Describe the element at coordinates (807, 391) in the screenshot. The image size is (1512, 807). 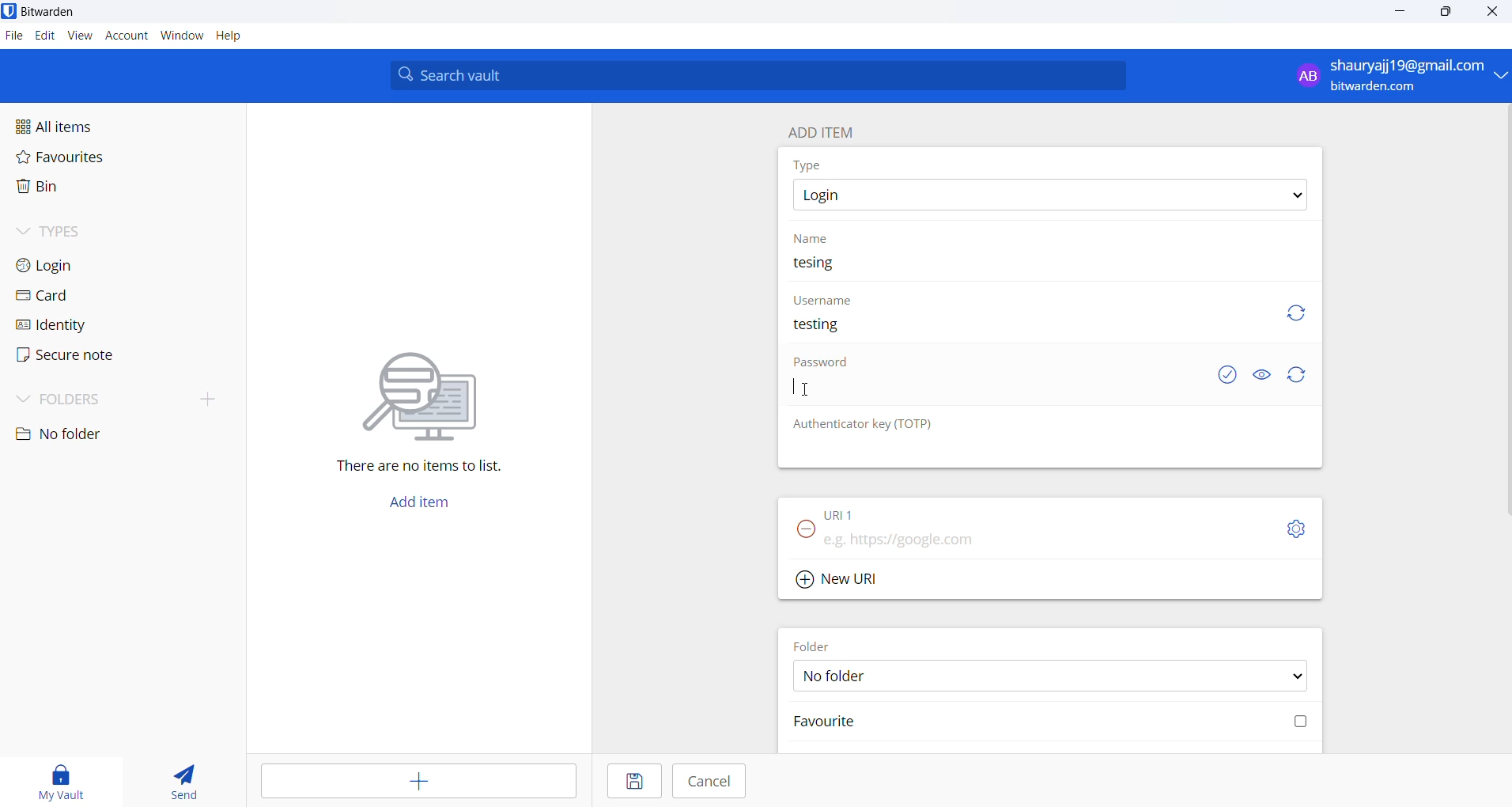
I see `cursor` at that location.